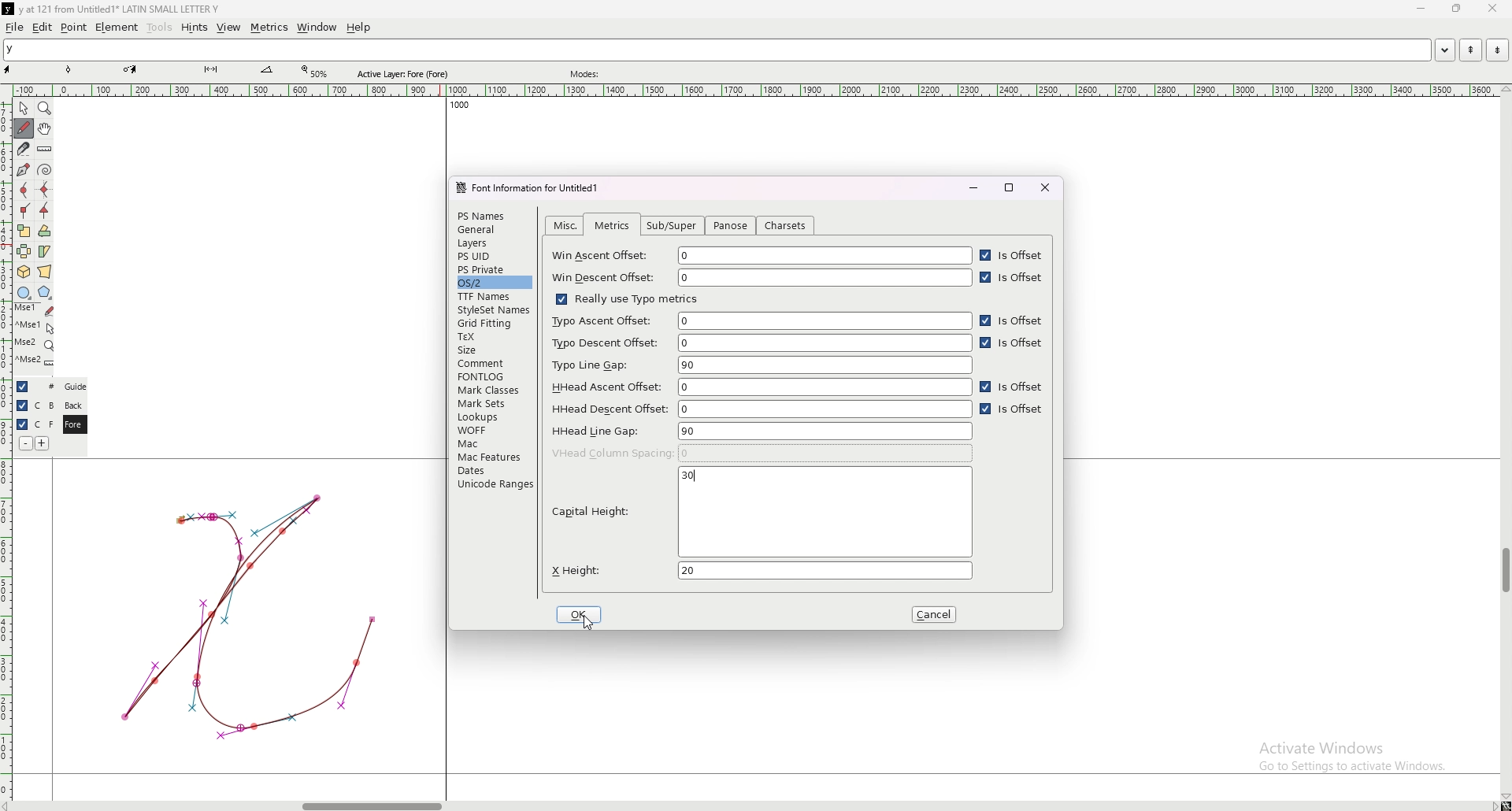 The image size is (1512, 811). I want to click on hhead line gap 90, so click(761, 431).